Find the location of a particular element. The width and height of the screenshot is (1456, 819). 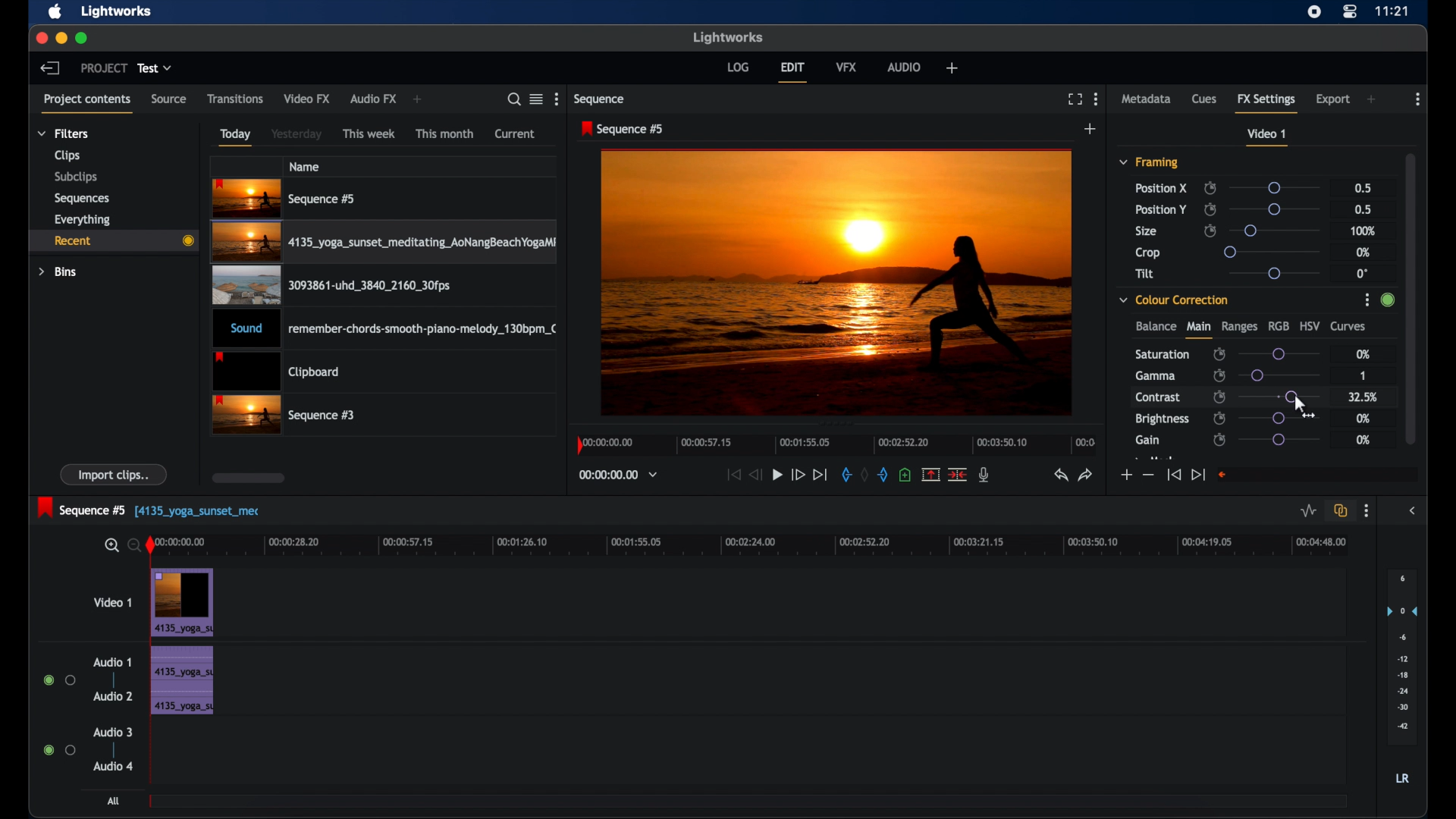

decrement is located at coordinates (1148, 475).